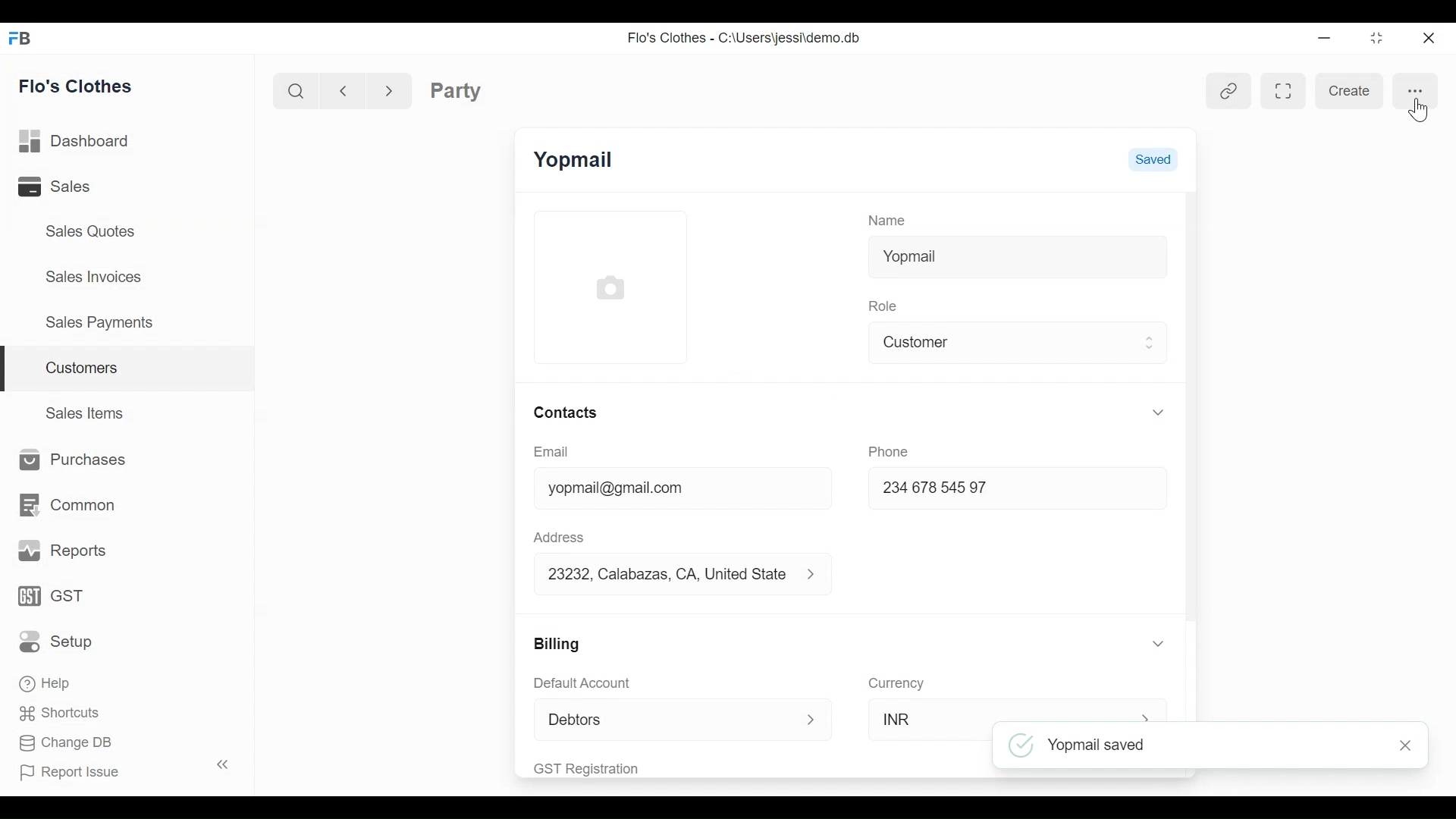 Image resolution: width=1456 pixels, height=819 pixels. I want to click on Yopmail saved, so click(1197, 746).